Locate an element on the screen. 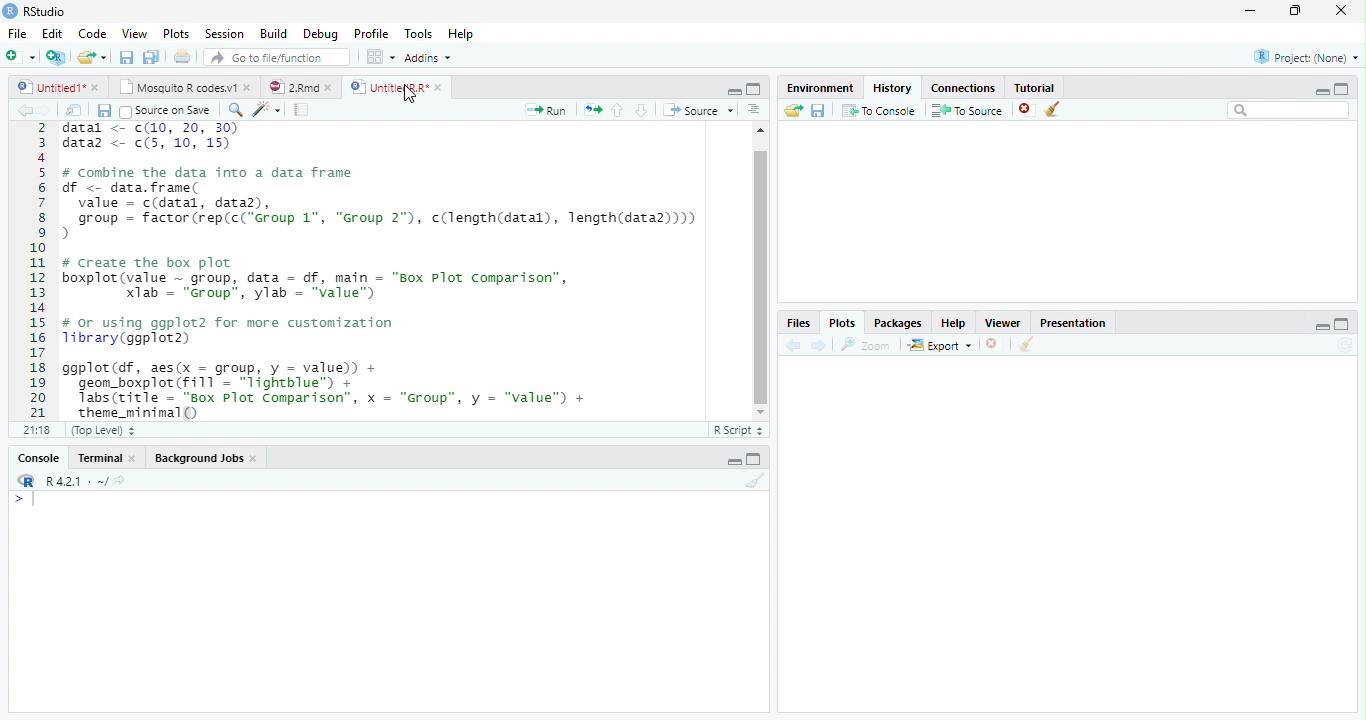  Build is located at coordinates (272, 33).